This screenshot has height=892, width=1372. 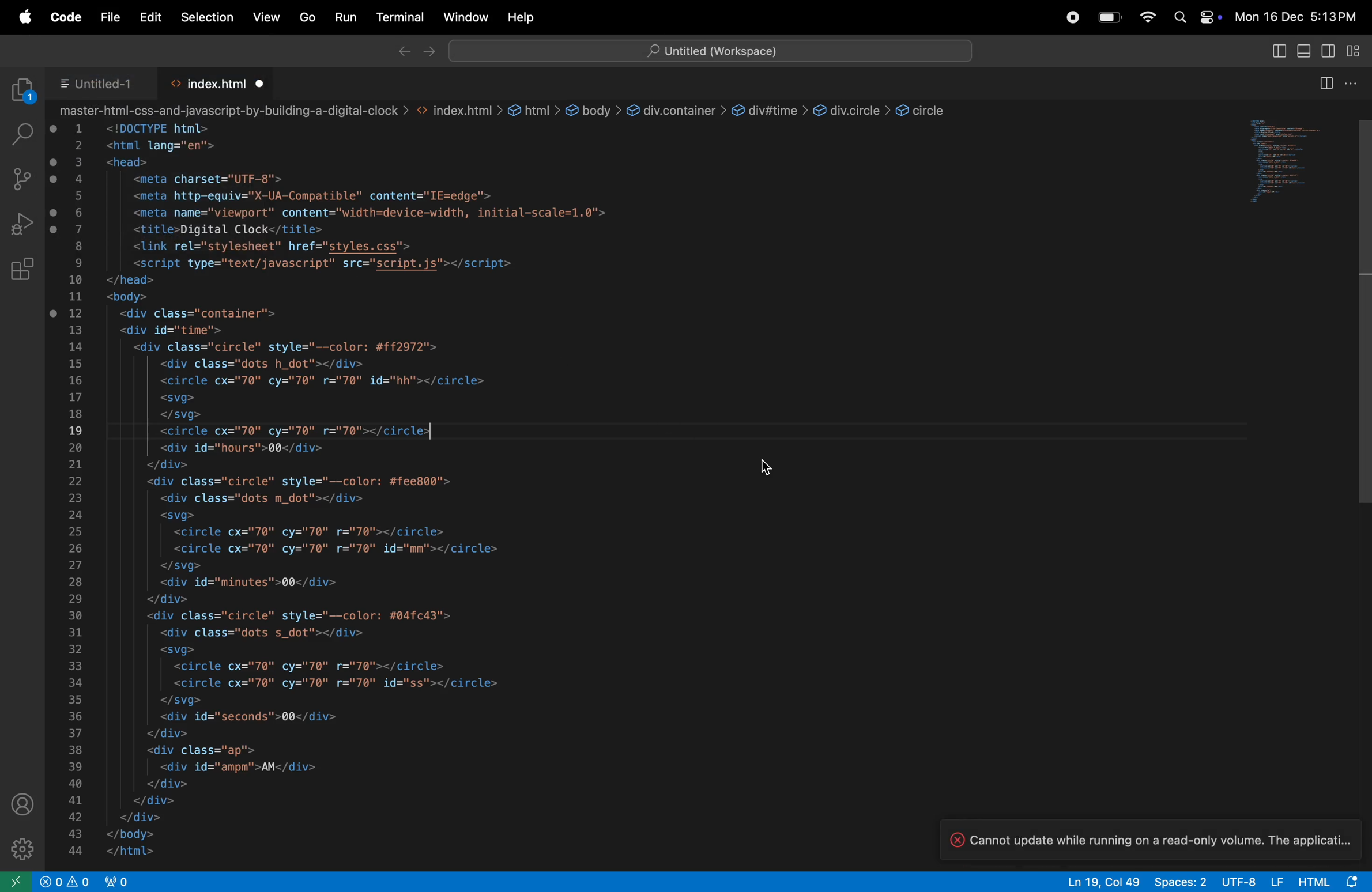 What do you see at coordinates (198, 313) in the screenshot?
I see `<div class="container">` at bounding box center [198, 313].